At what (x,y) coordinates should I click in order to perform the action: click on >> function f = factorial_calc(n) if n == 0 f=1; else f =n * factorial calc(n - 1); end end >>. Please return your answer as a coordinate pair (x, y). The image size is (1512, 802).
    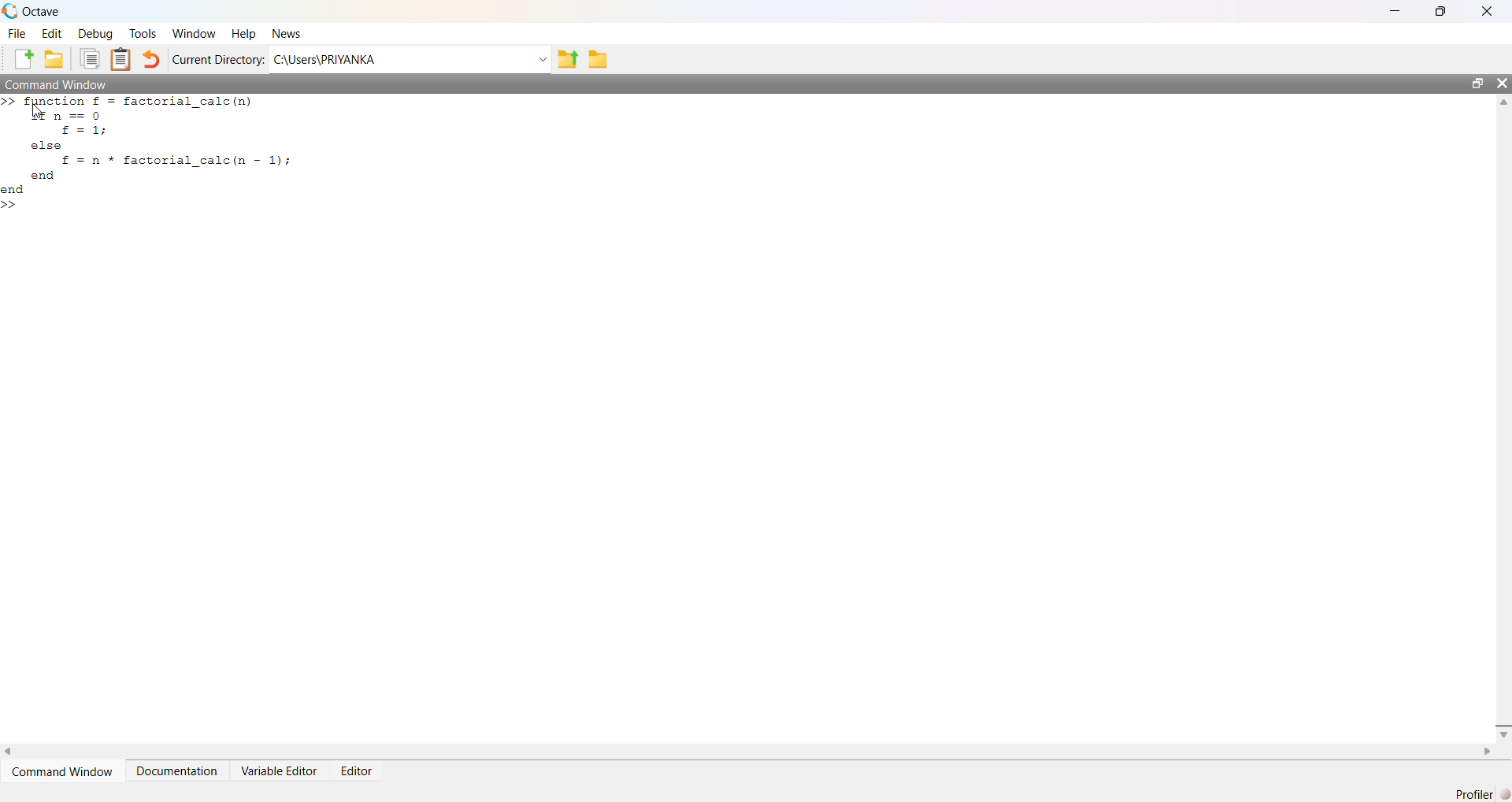
    Looking at the image, I should click on (147, 154).